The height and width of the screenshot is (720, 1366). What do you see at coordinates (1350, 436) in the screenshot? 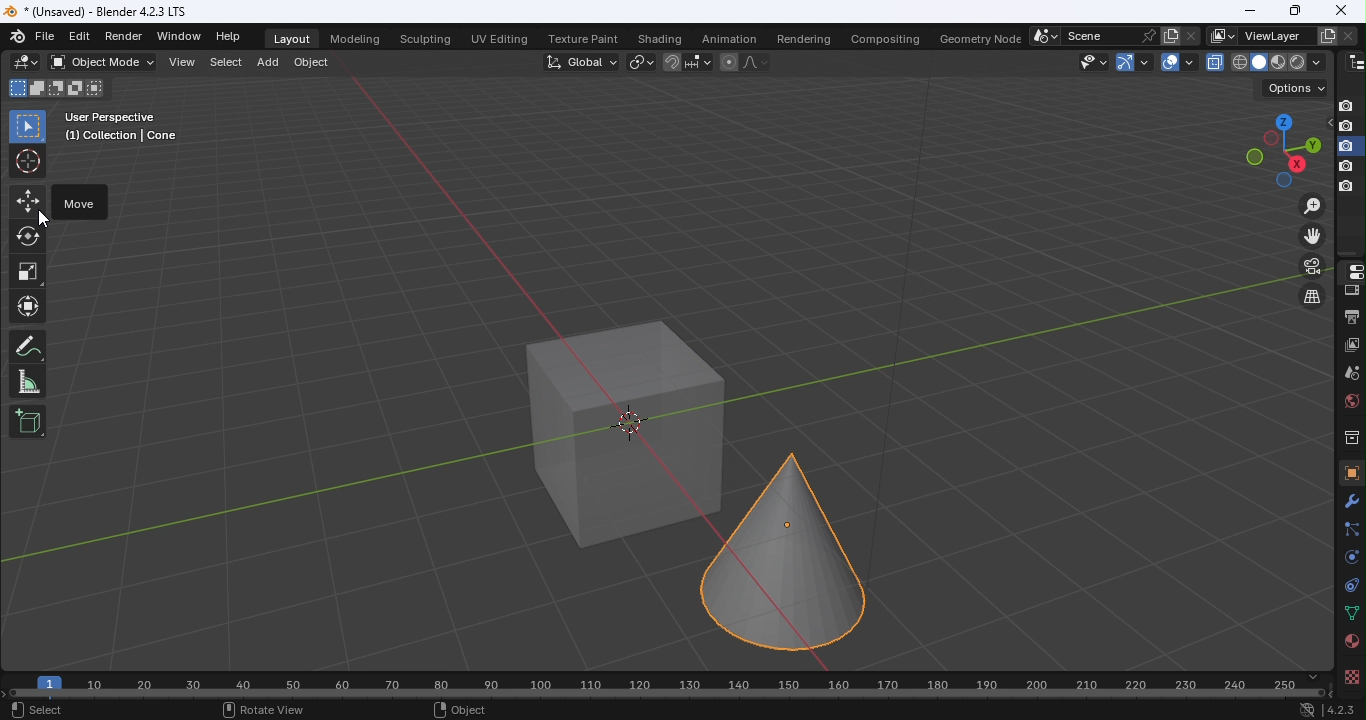
I see `Collection` at bounding box center [1350, 436].